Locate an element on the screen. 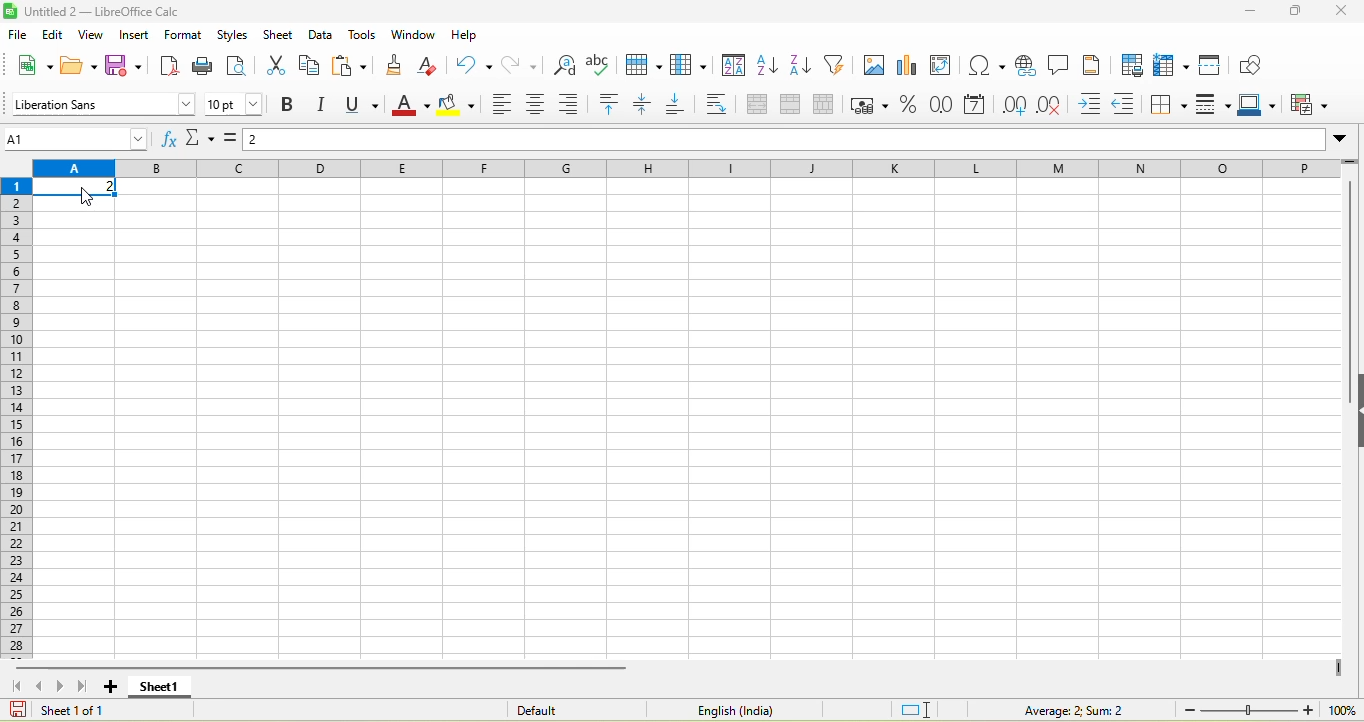 The image size is (1364, 722). image is located at coordinates (875, 67).